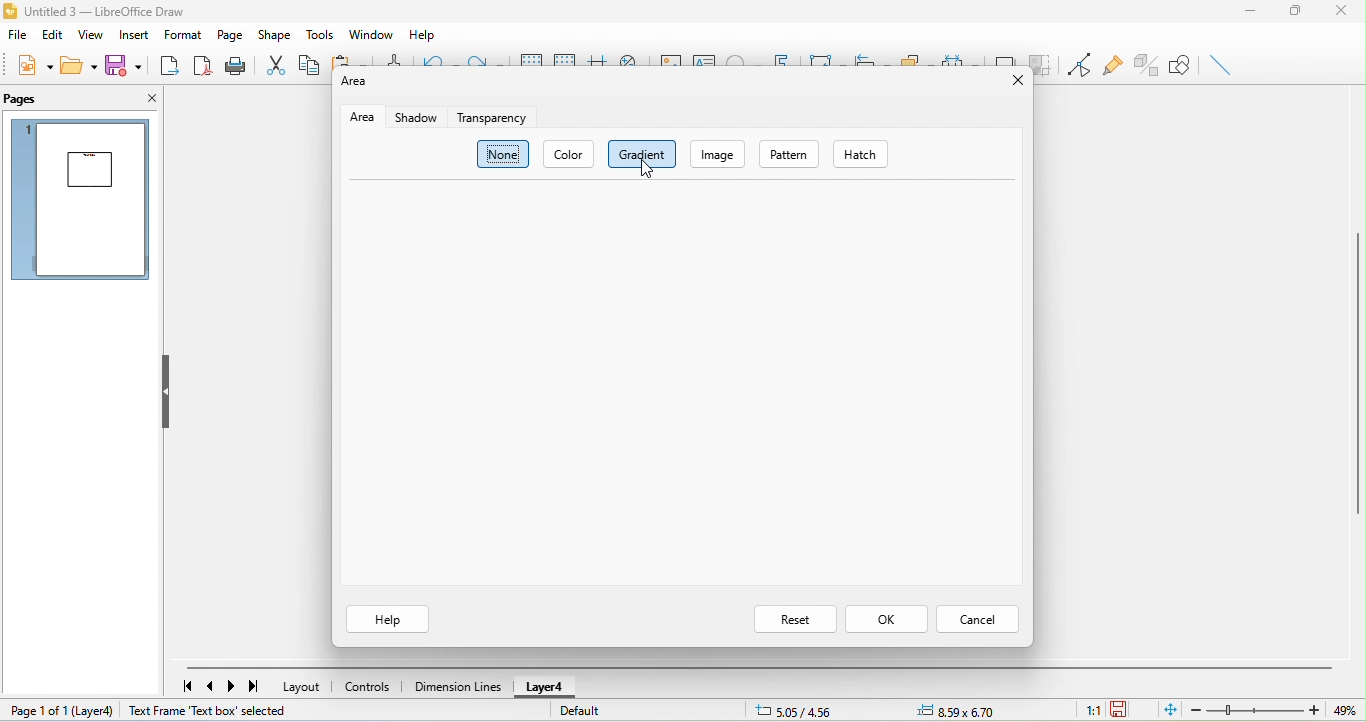 This screenshot has height=722, width=1366. What do you see at coordinates (631, 58) in the screenshot?
I see `zoom and pan` at bounding box center [631, 58].